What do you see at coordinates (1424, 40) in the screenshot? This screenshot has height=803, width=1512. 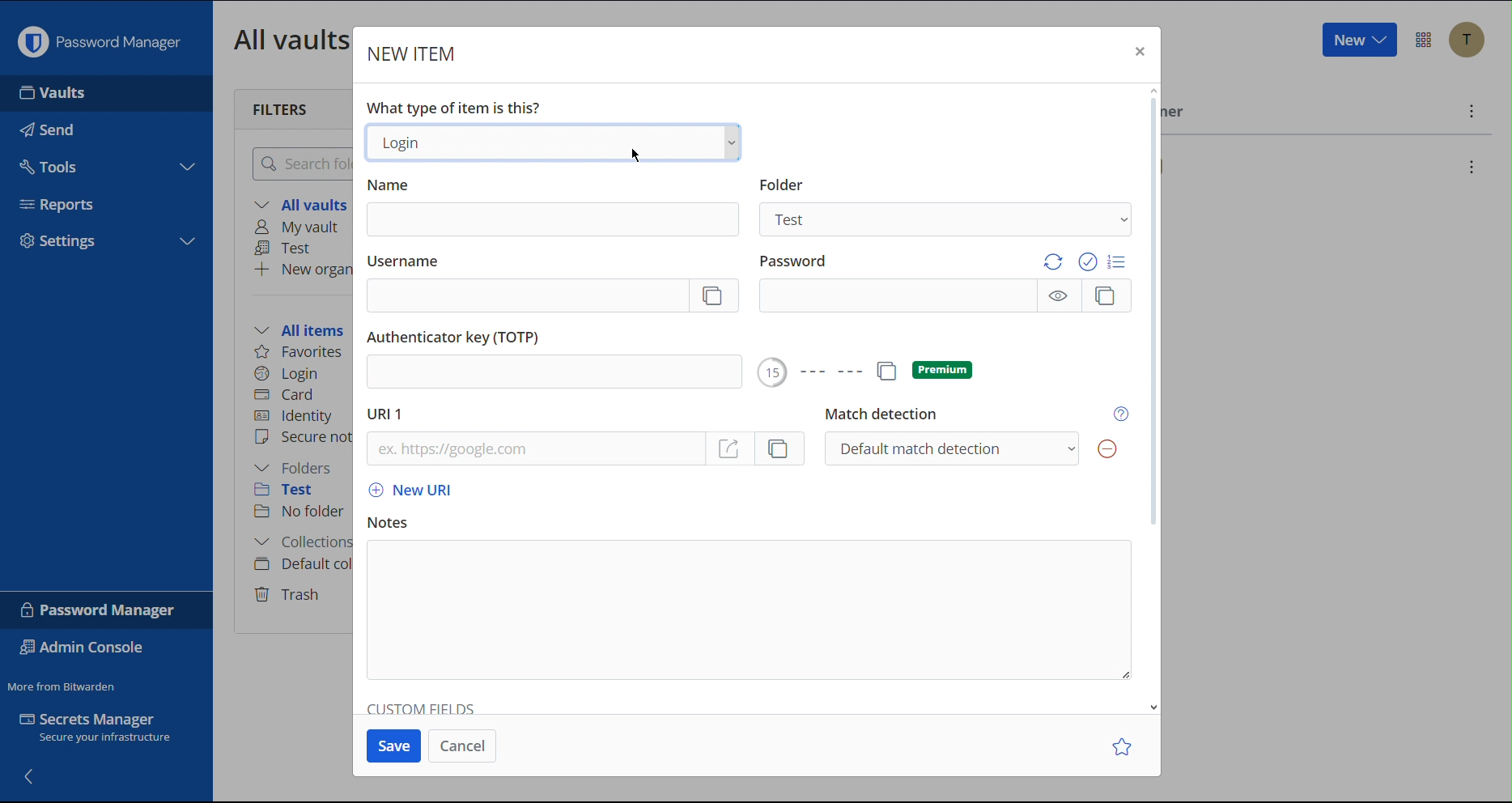 I see `More Options` at bounding box center [1424, 40].